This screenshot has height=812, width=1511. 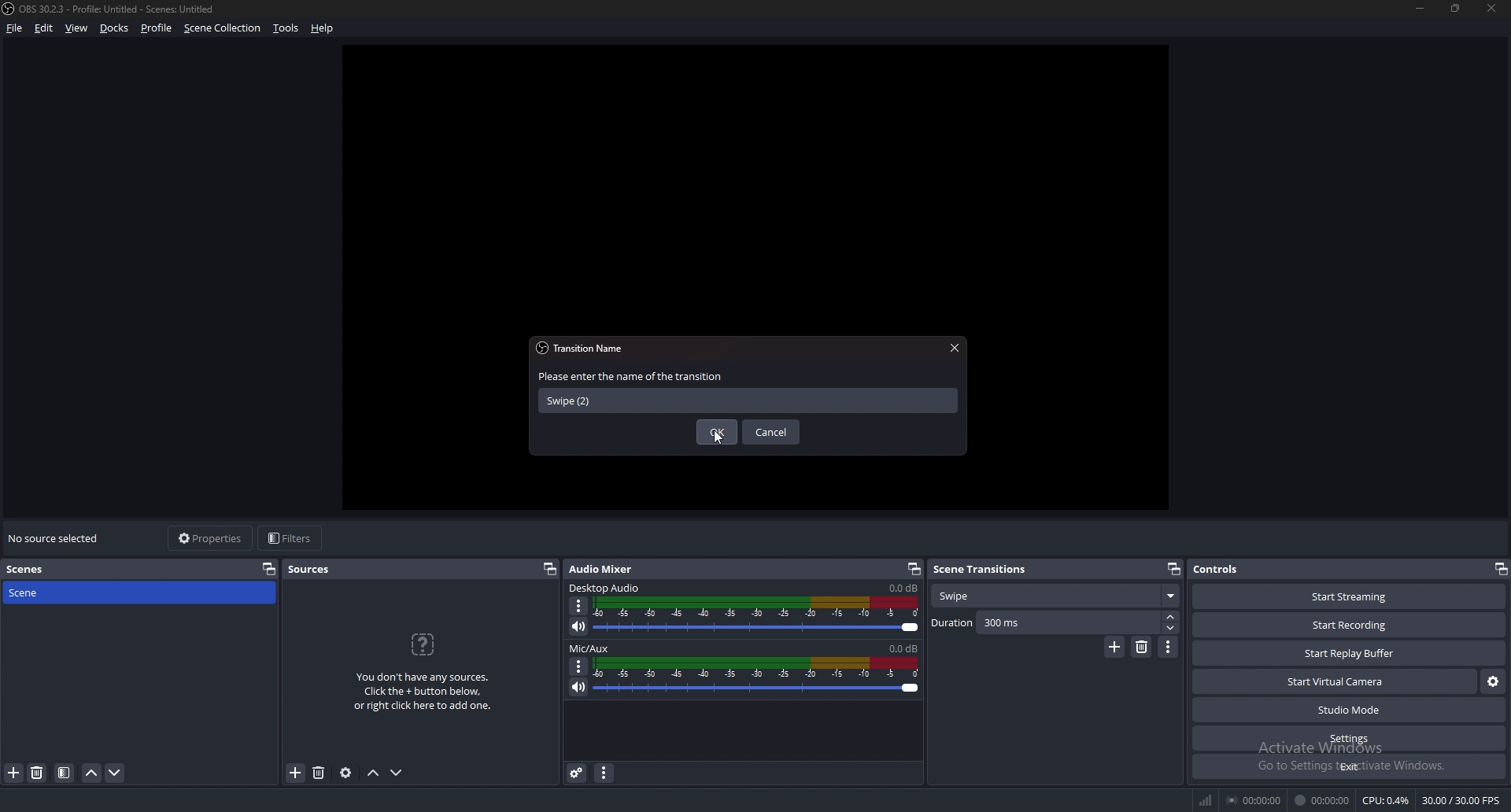 I want to click on profile, so click(x=158, y=28).